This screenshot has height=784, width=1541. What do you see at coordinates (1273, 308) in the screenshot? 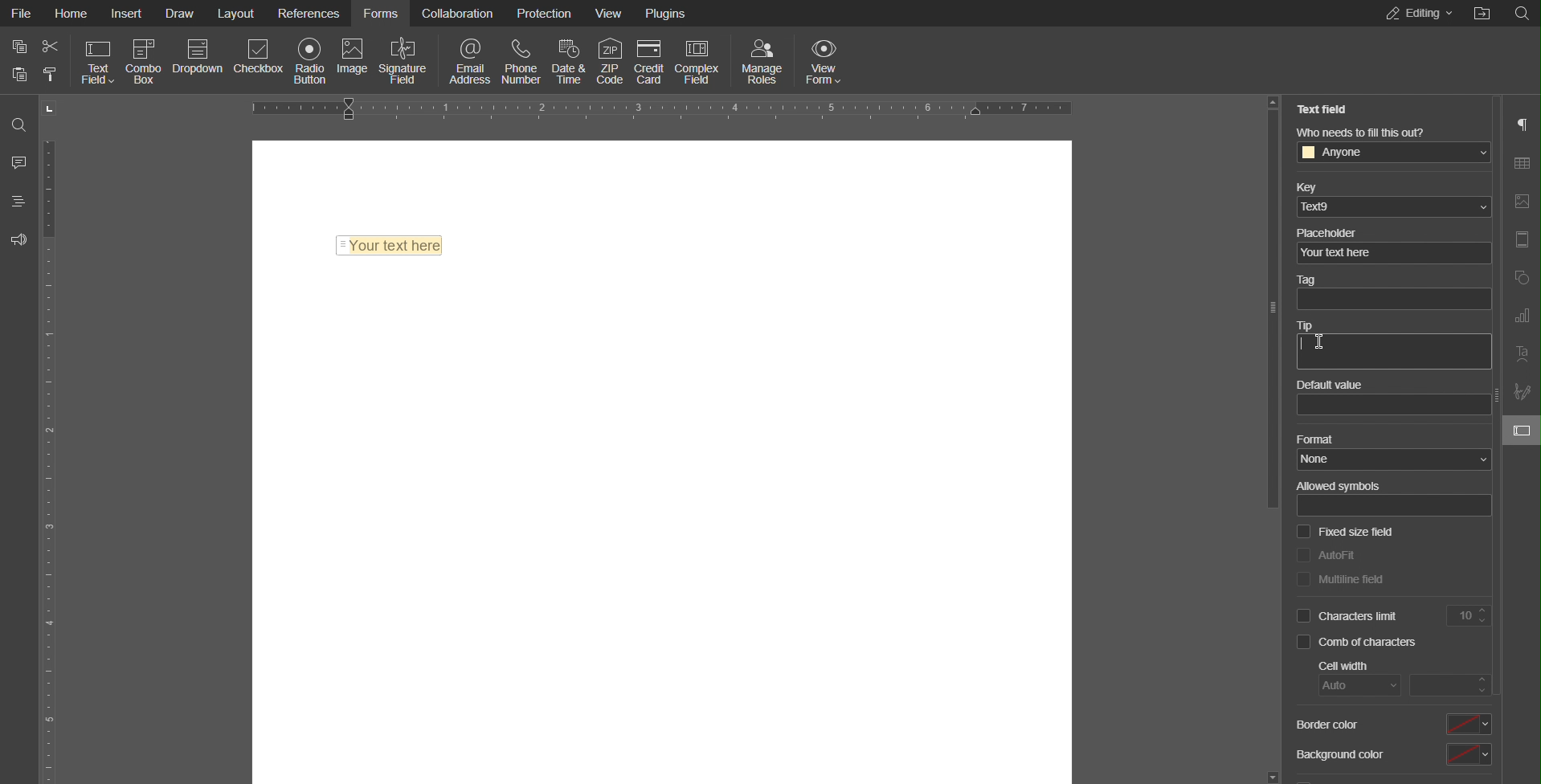
I see `slider` at bounding box center [1273, 308].